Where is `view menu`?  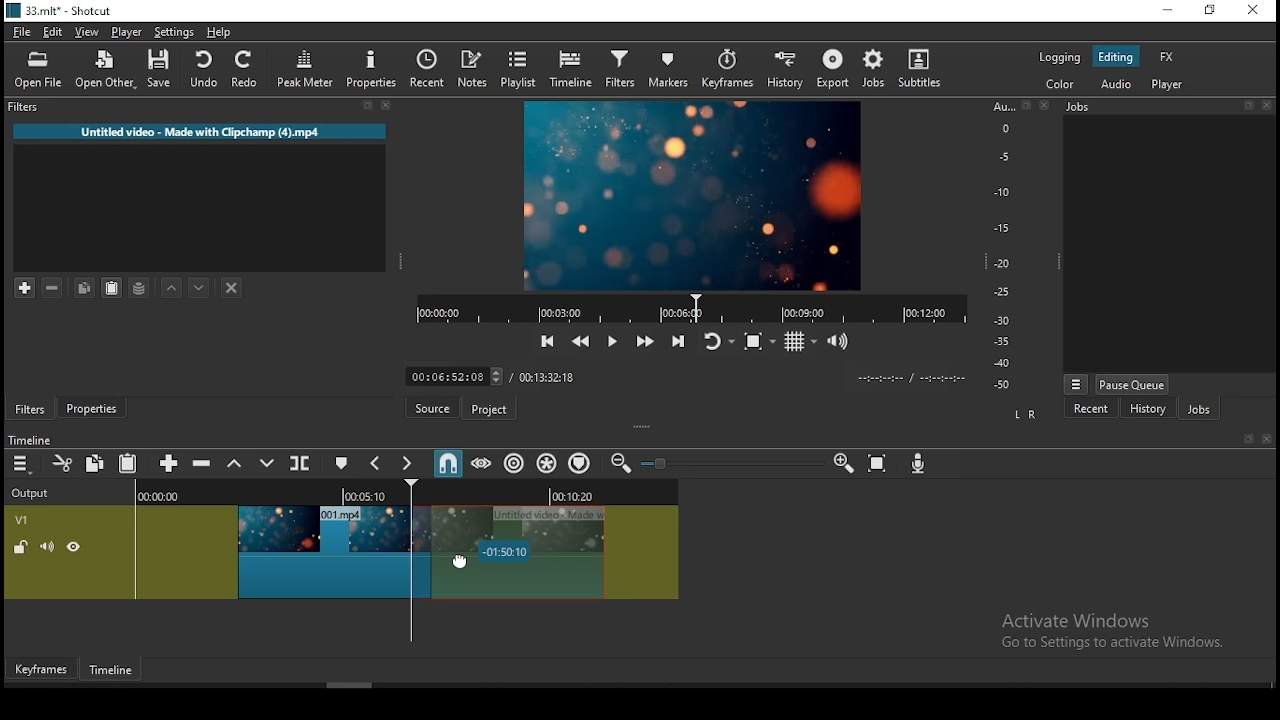
view menu is located at coordinates (1075, 383).